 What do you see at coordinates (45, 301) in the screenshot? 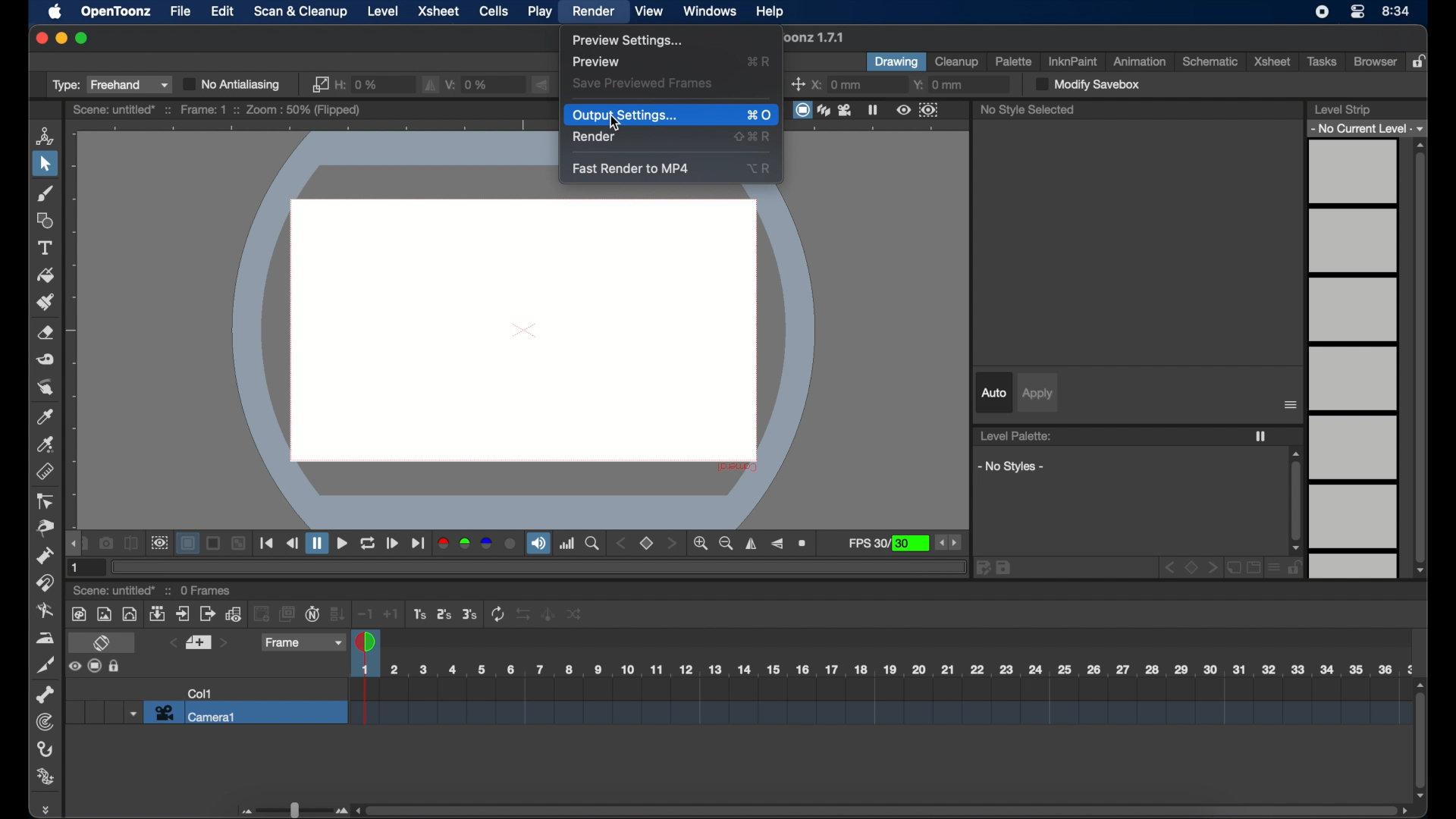
I see `paint brush tool` at bounding box center [45, 301].